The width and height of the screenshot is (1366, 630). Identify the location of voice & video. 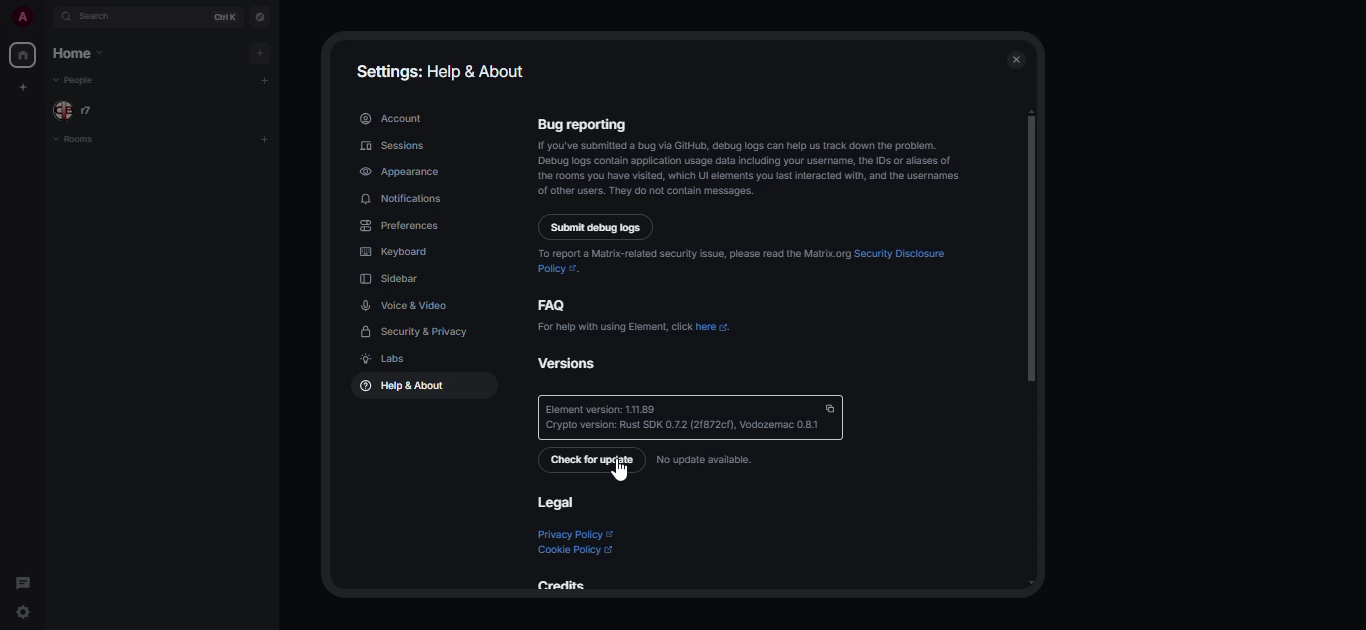
(409, 305).